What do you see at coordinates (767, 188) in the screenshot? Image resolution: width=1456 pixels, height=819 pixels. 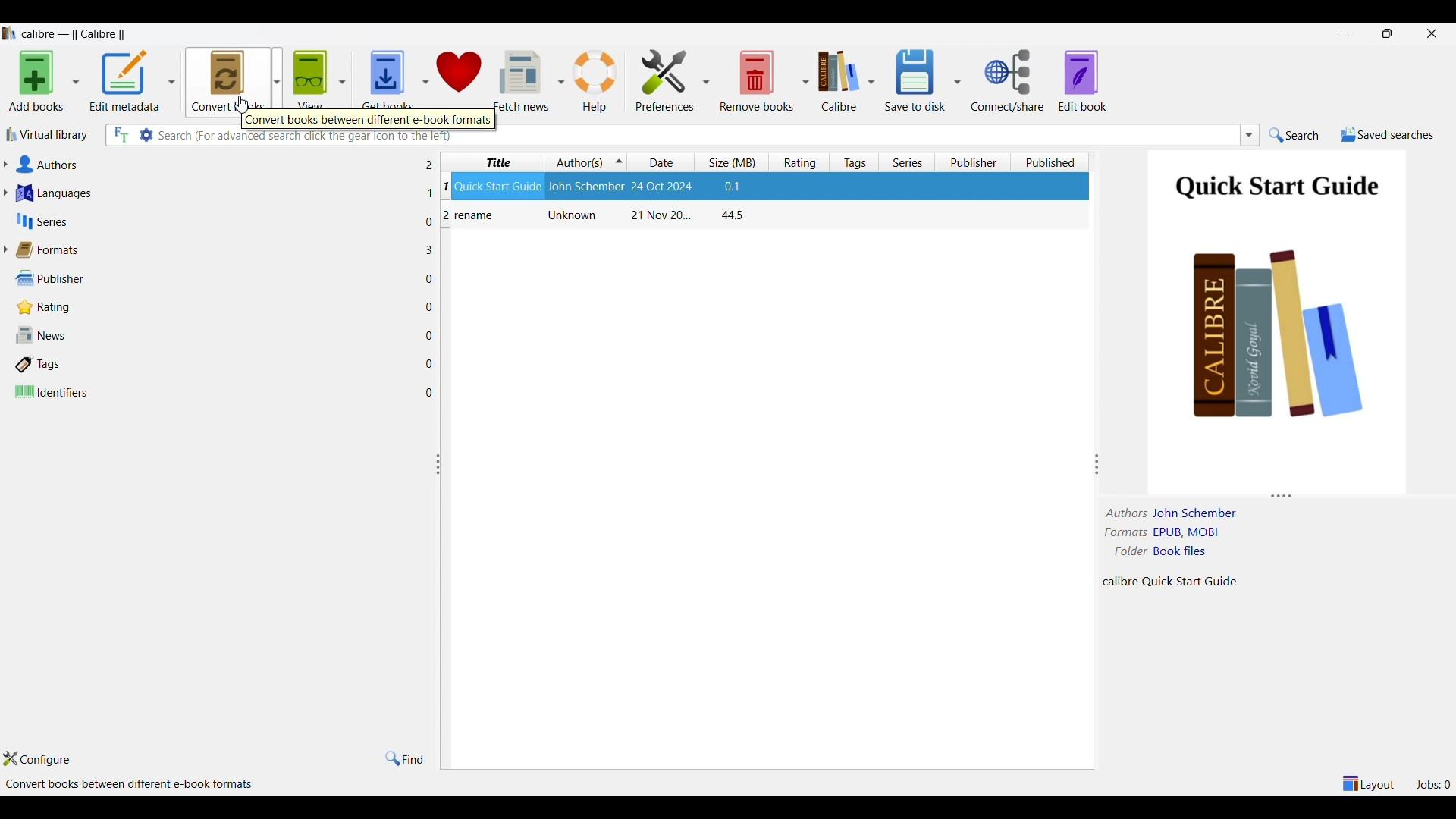 I see `Selected file highlighted` at bounding box center [767, 188].